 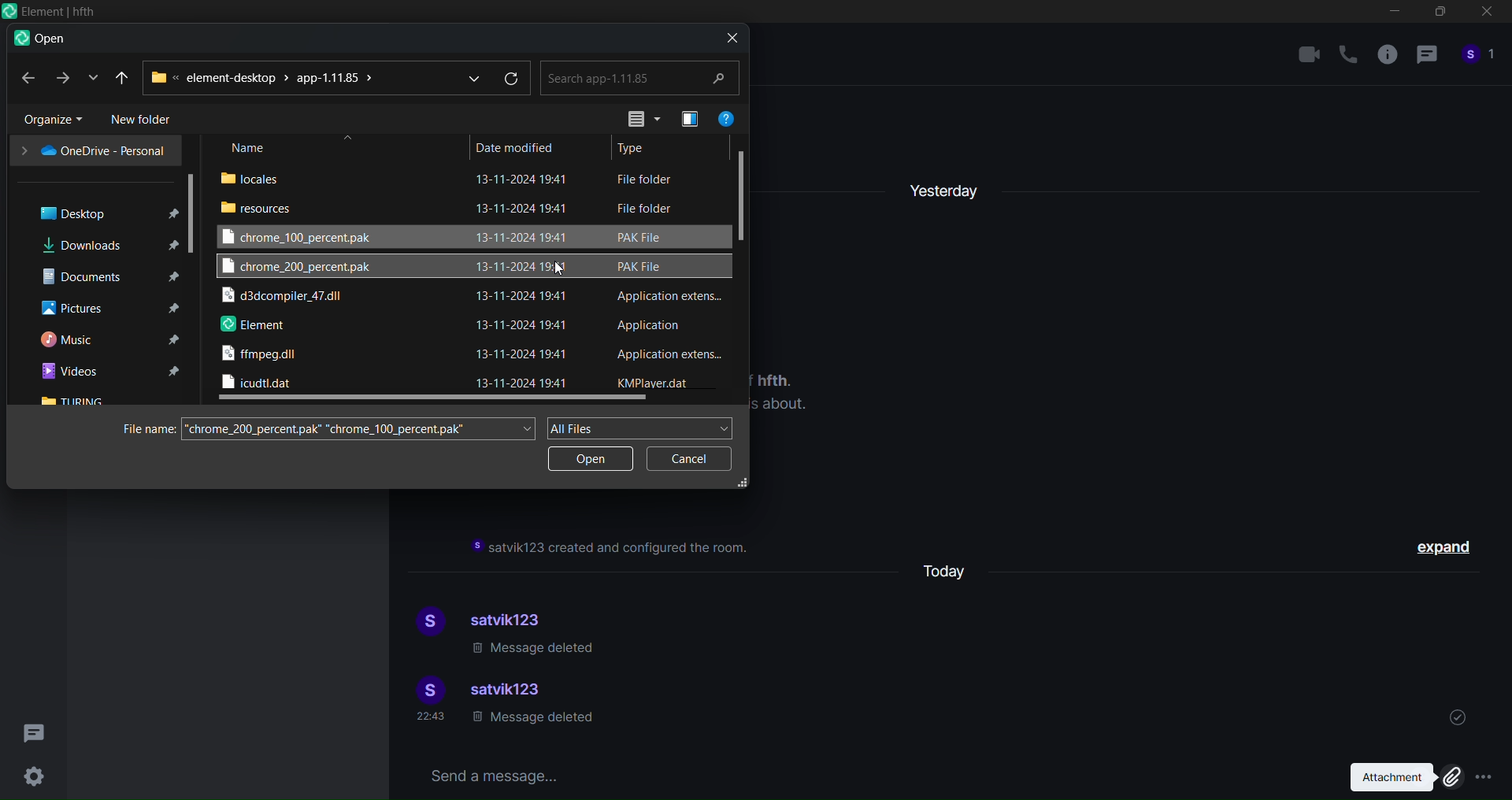 I want to click on message deleted, so click(x=535, y=650).